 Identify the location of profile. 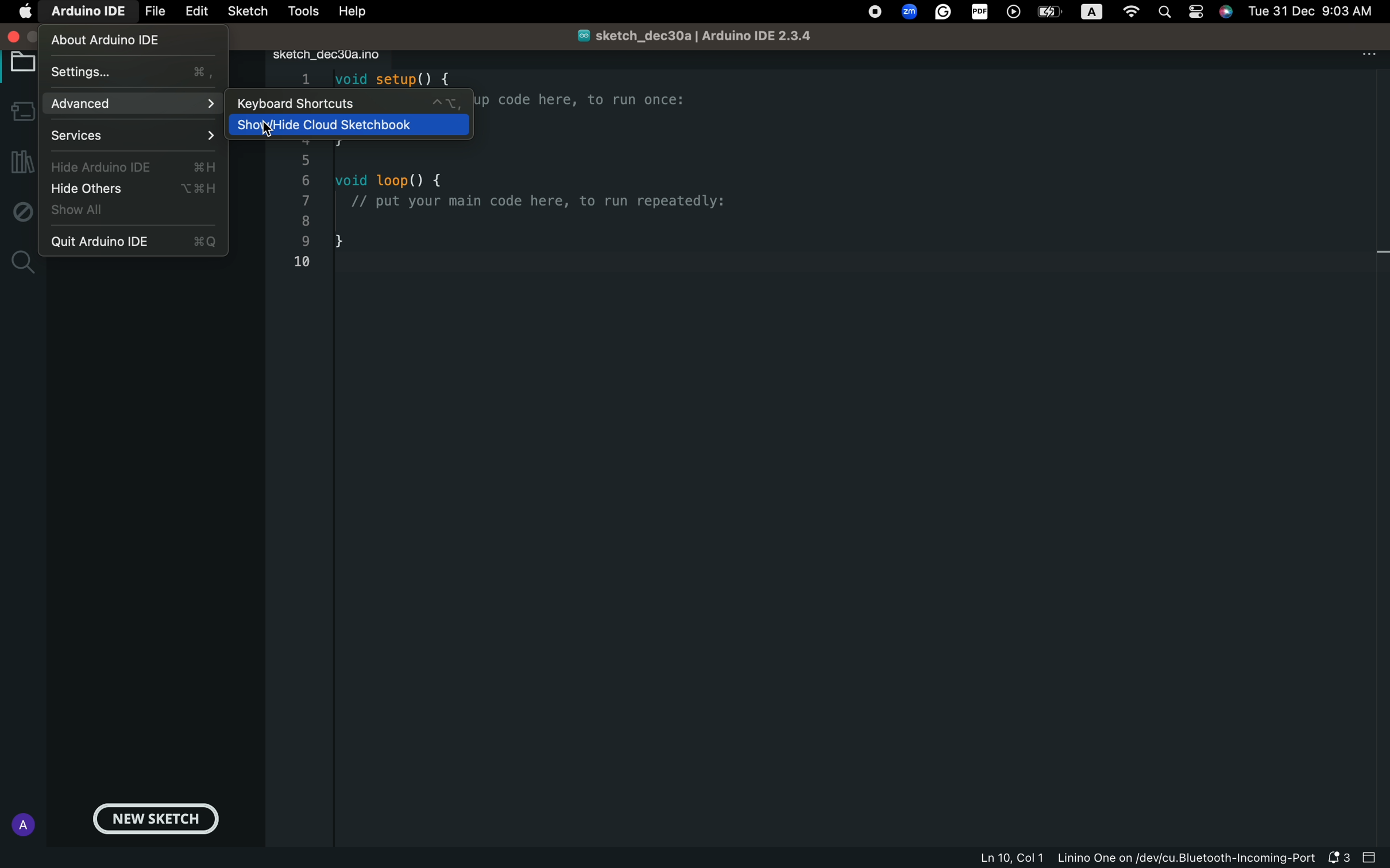
(20, 824).